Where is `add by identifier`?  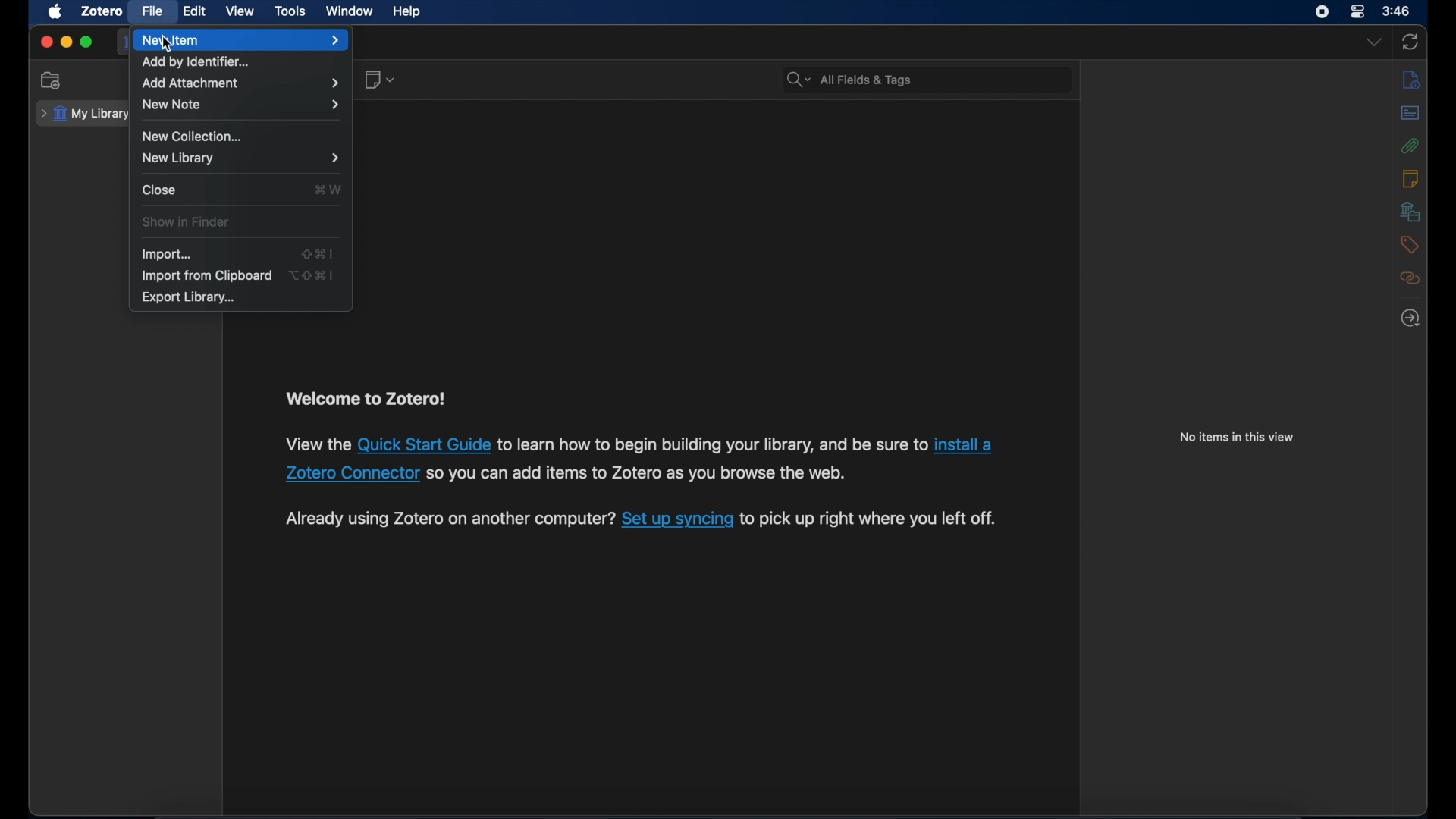 add by identifier is located at coordinates (196, 62).